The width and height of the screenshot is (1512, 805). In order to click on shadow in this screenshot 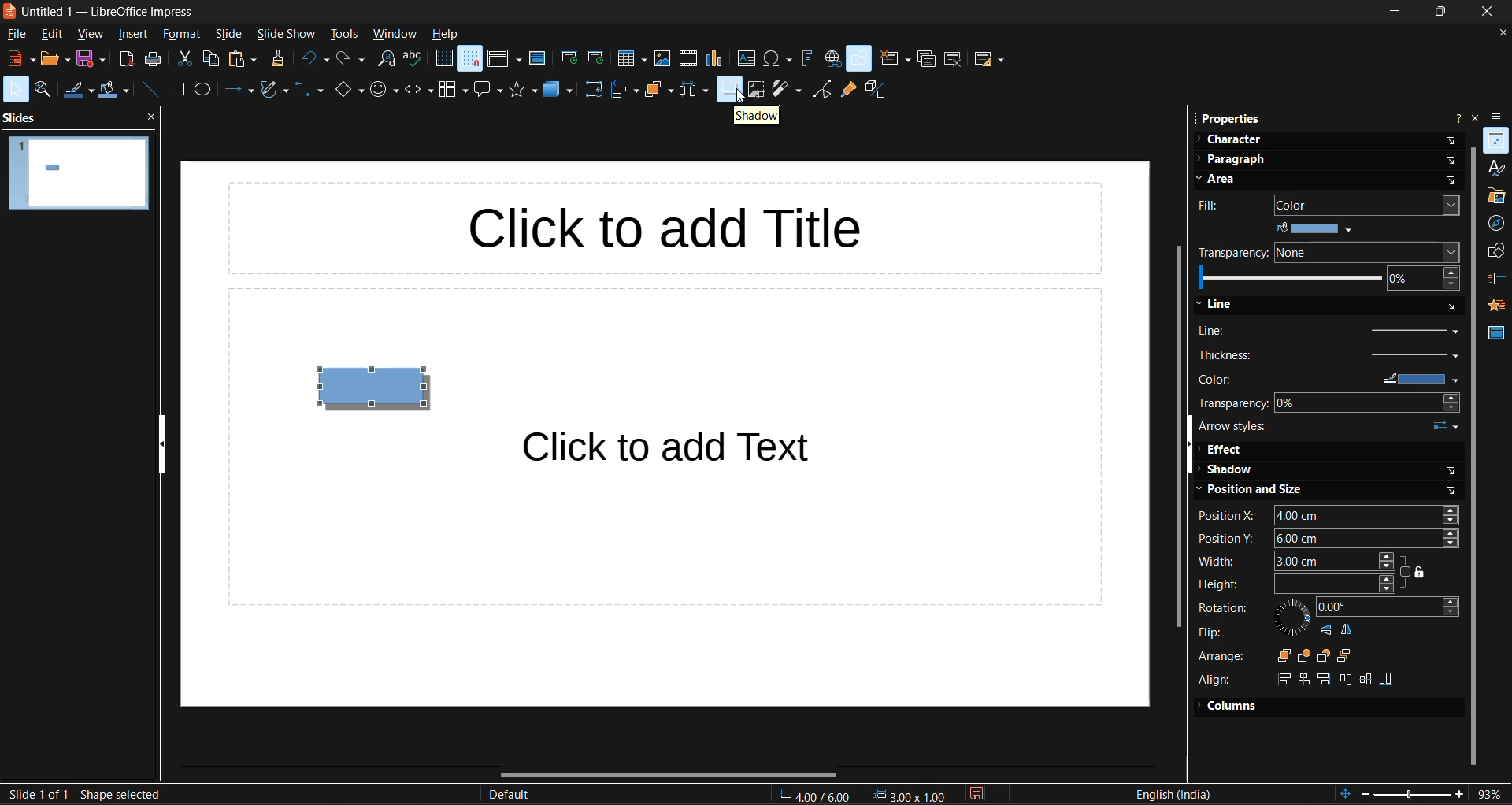, I will do `click(755, 116)`.